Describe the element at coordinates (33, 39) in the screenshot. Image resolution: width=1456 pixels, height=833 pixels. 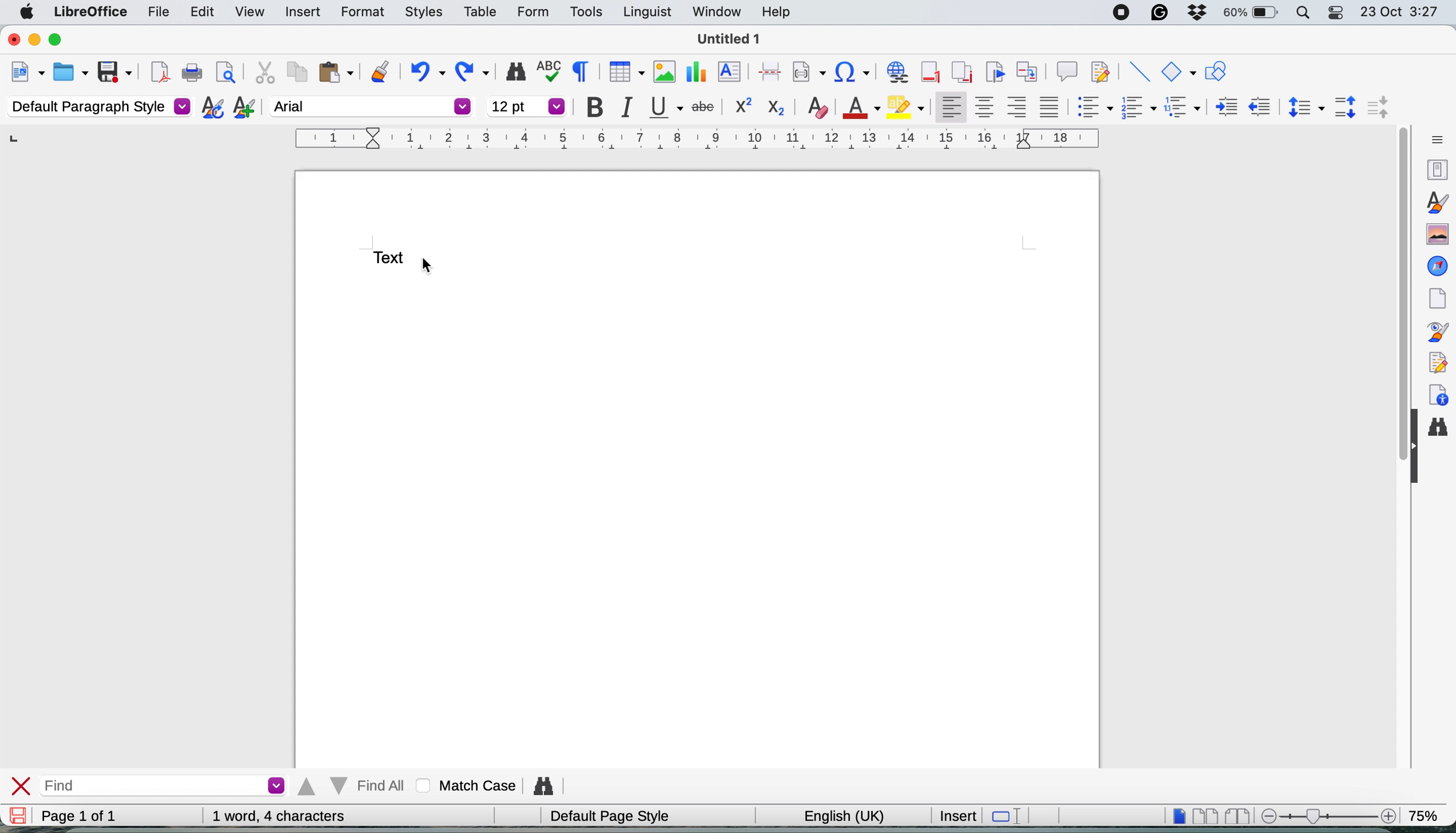
I see `minimise` at that location.